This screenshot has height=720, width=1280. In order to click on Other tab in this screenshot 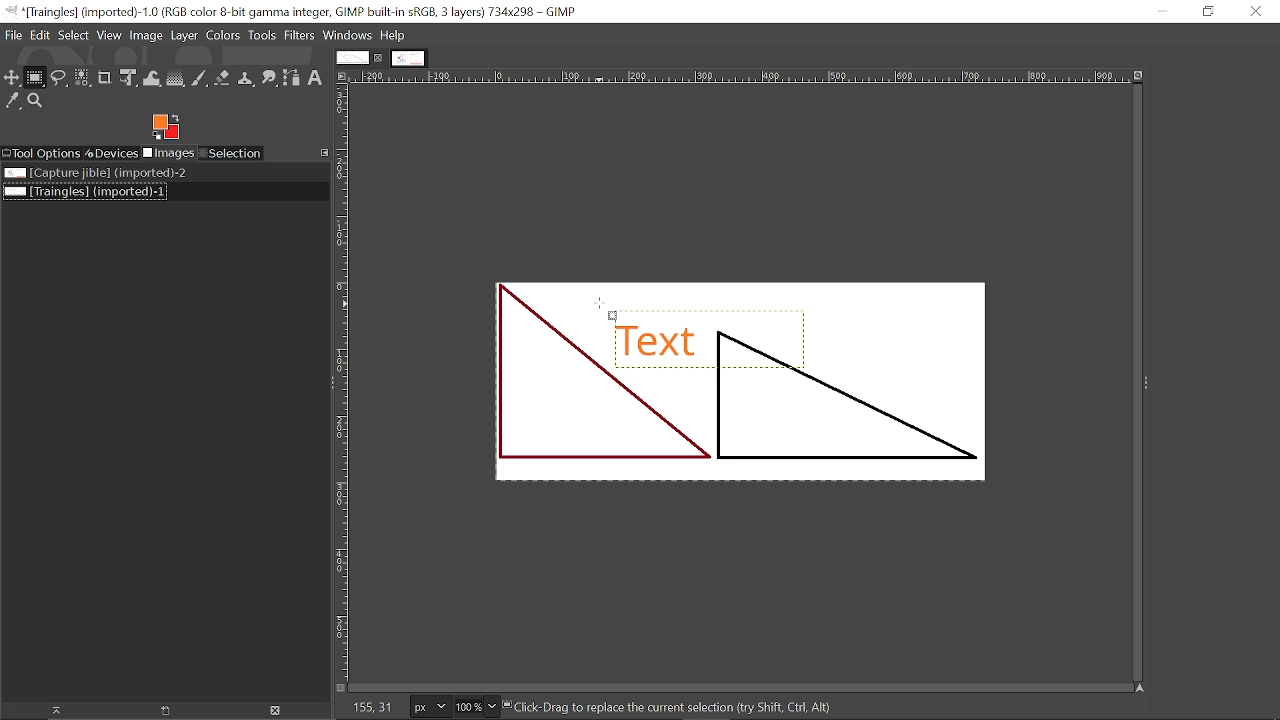, I will do `click(408, 58)`.